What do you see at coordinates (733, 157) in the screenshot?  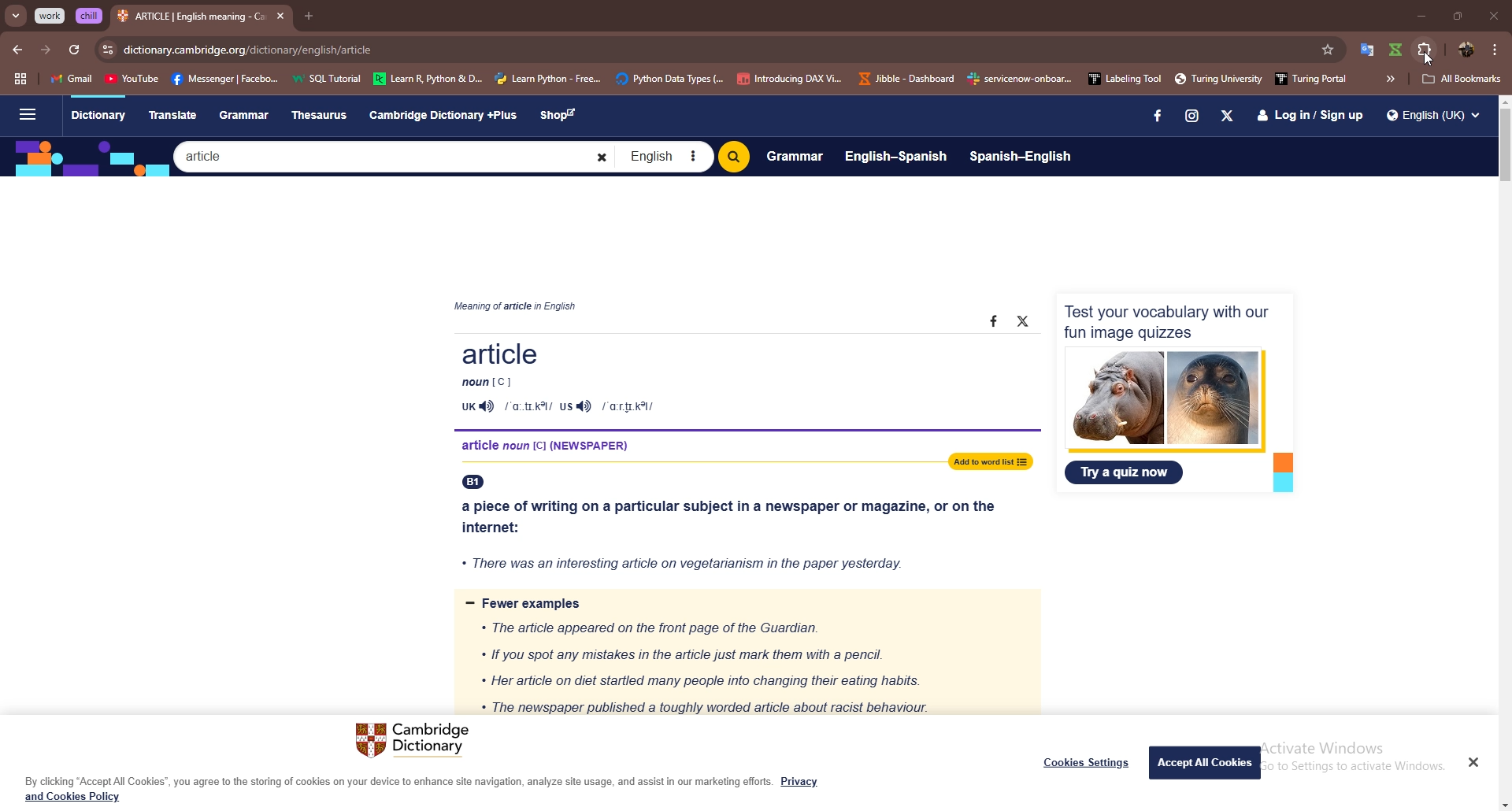 I see `Search bitton` at bounding box center [733, 157].